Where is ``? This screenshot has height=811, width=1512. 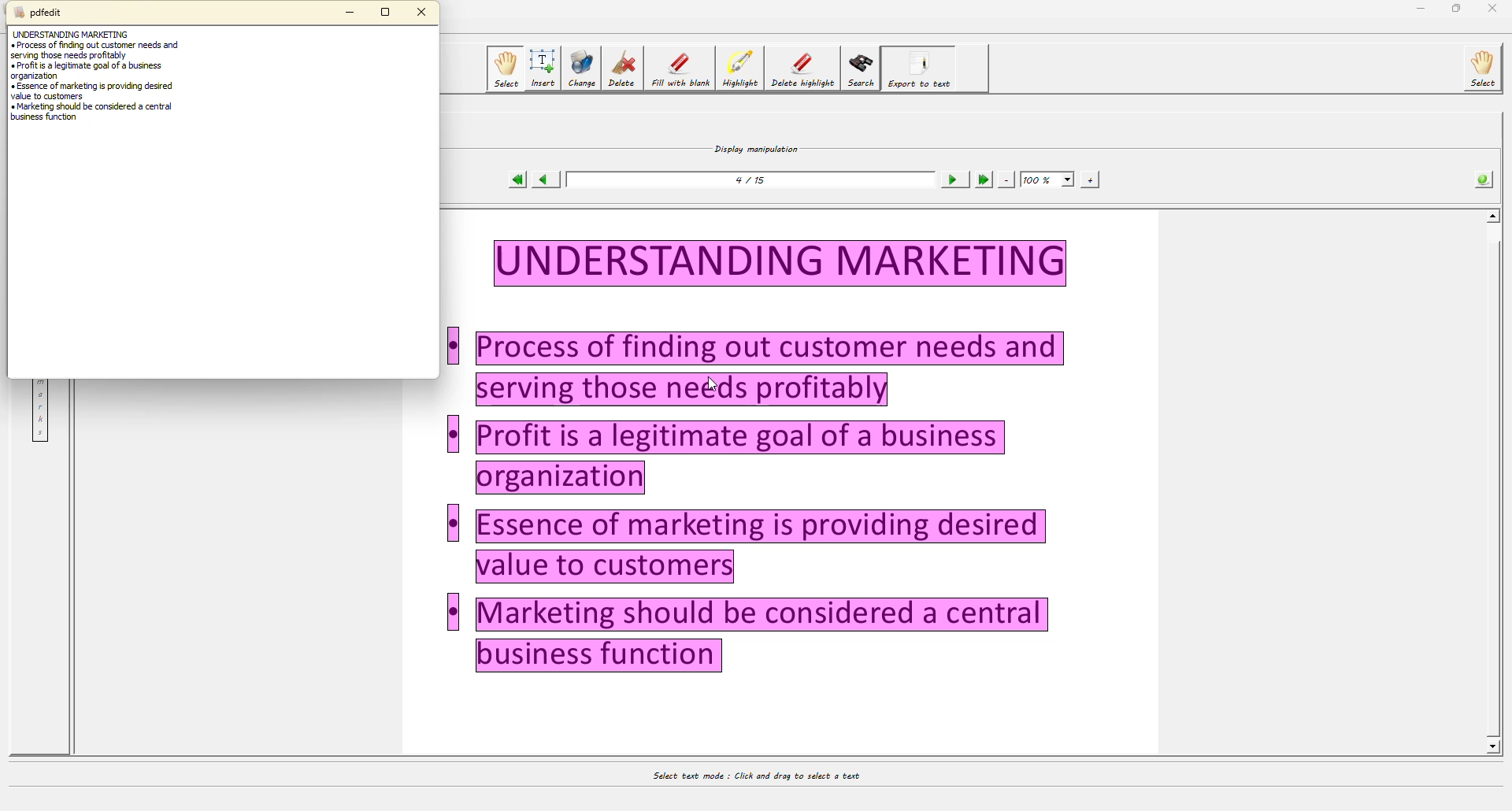
 is located at coordinates (763, 547).